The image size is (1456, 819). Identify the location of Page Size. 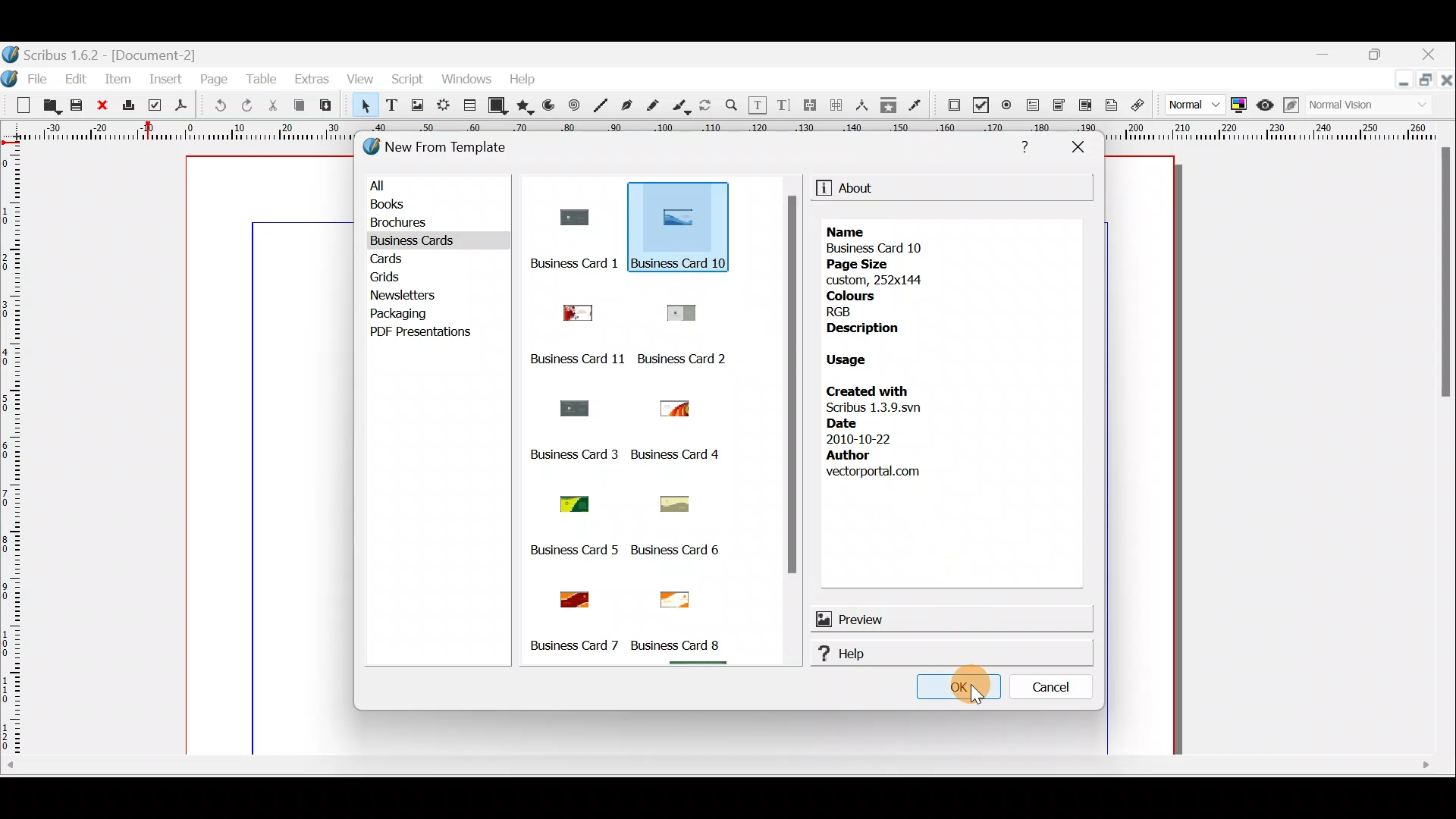
(862, 263).